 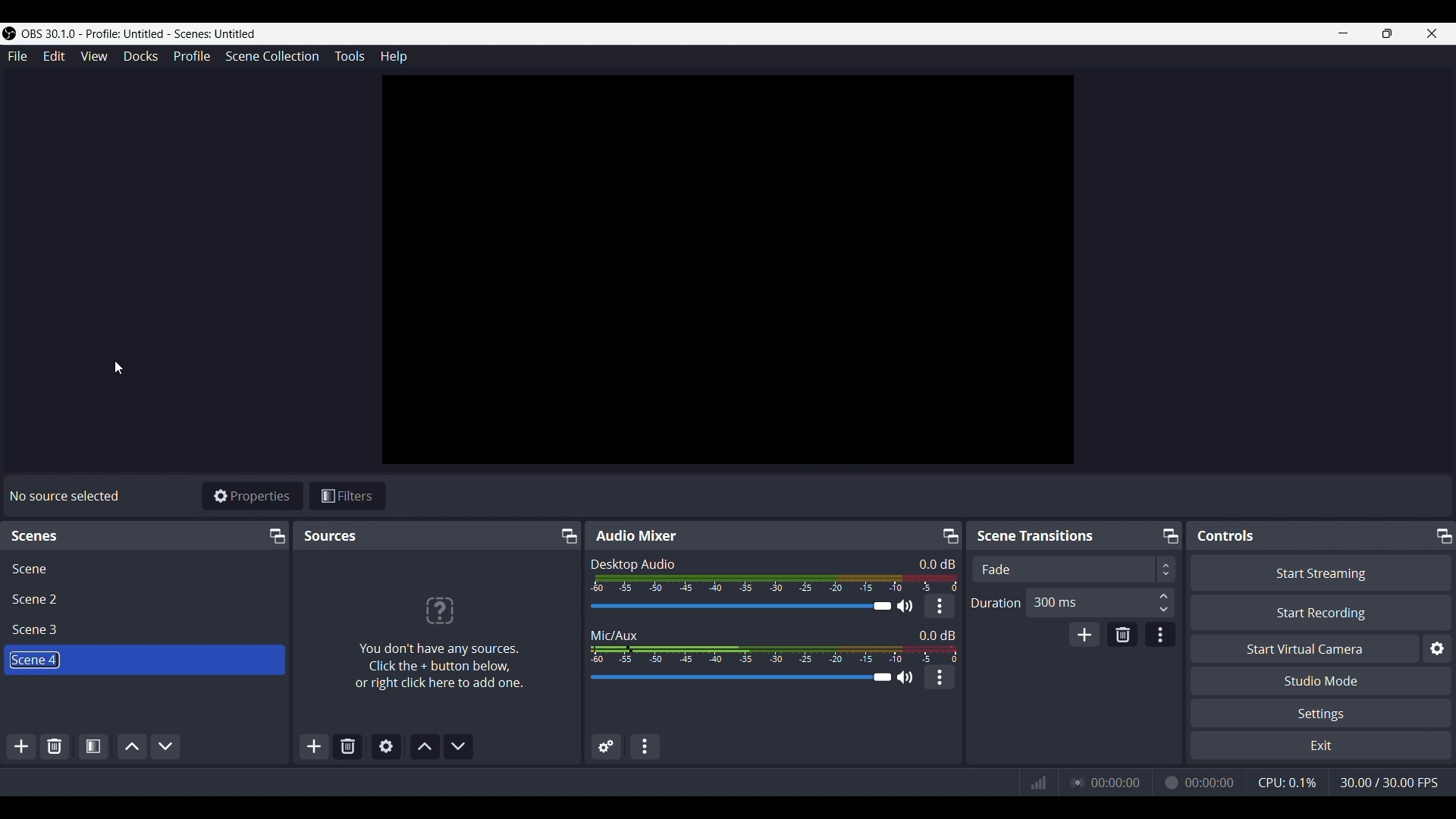 I want to click on  Undock/Pop-out icon, so click(x=950, y=535).